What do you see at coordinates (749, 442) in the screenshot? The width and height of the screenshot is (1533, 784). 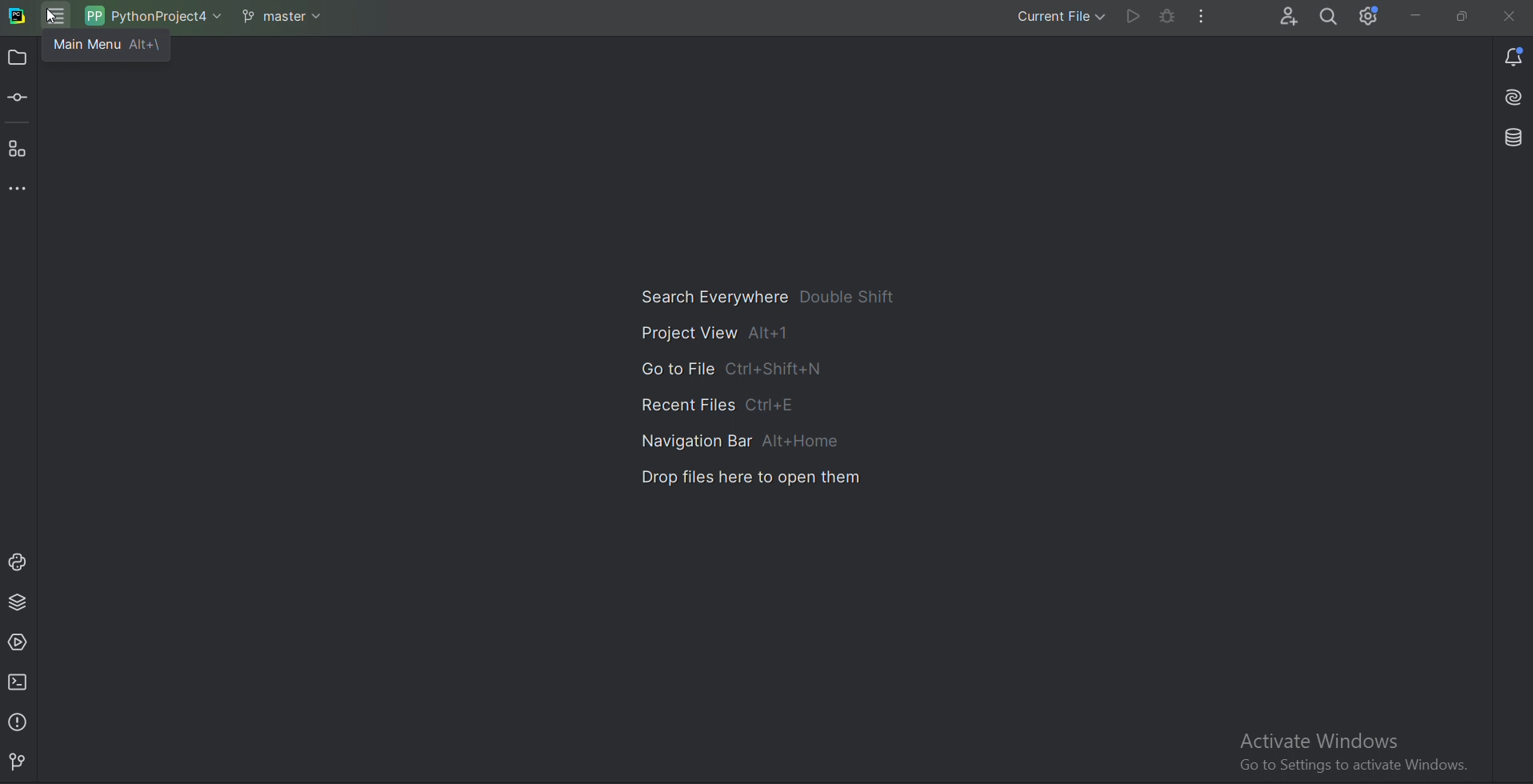 I see `Navigation Bar Alt+Home` at bounding box center [749, 442].